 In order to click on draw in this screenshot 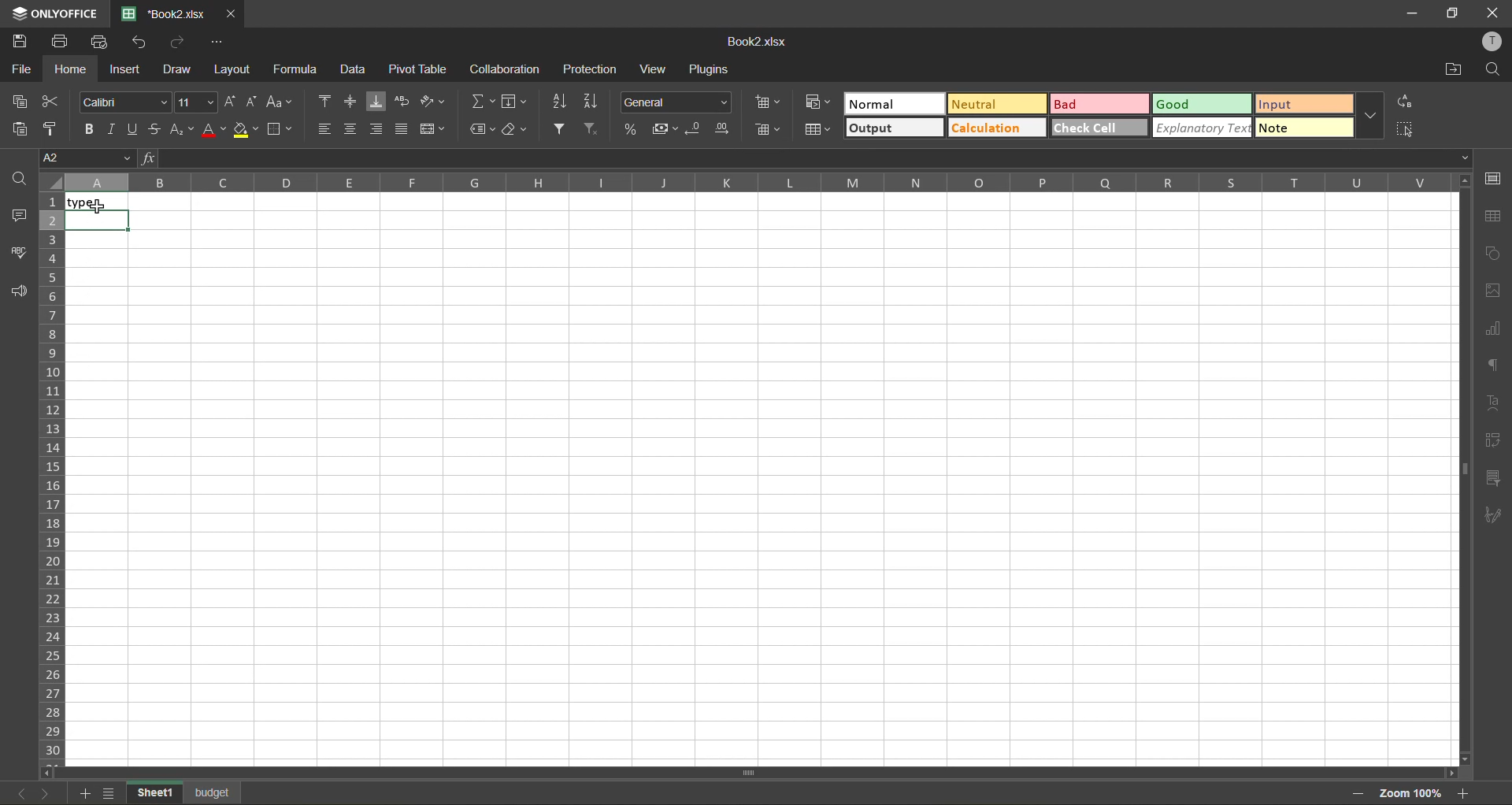, I will do `click(180, 72)`.